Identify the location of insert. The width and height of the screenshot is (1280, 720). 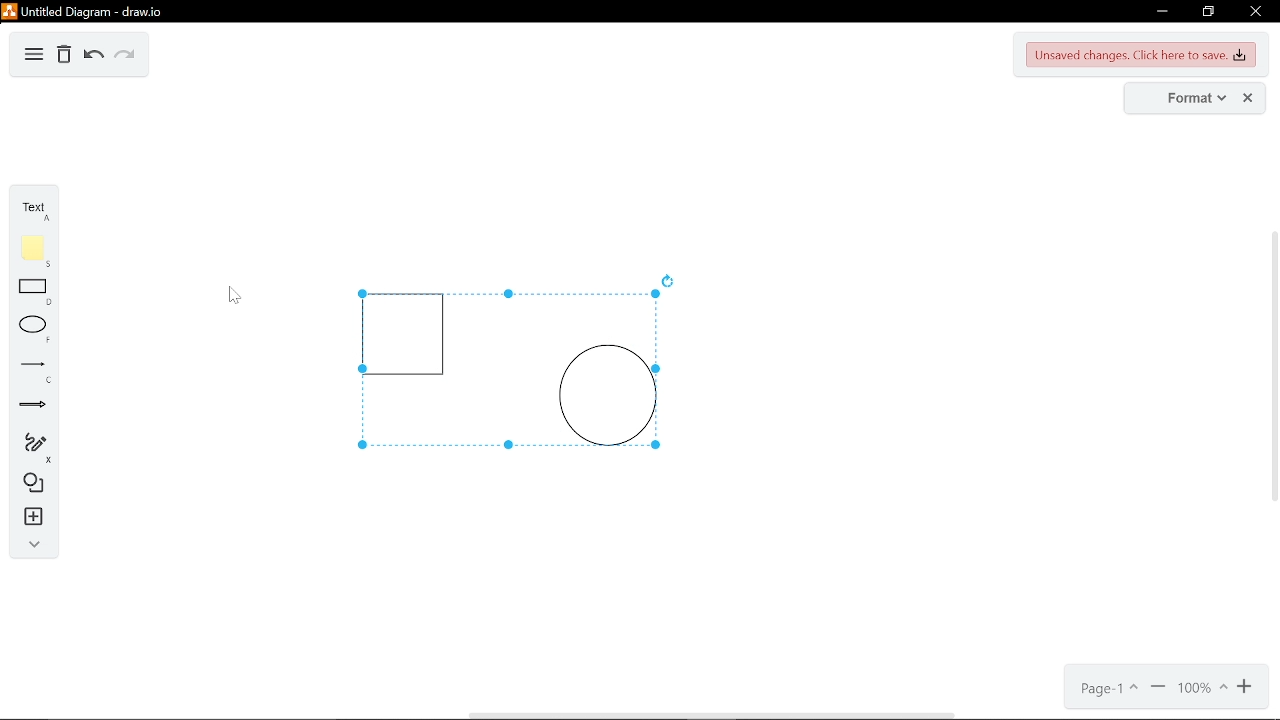
(28, 518).